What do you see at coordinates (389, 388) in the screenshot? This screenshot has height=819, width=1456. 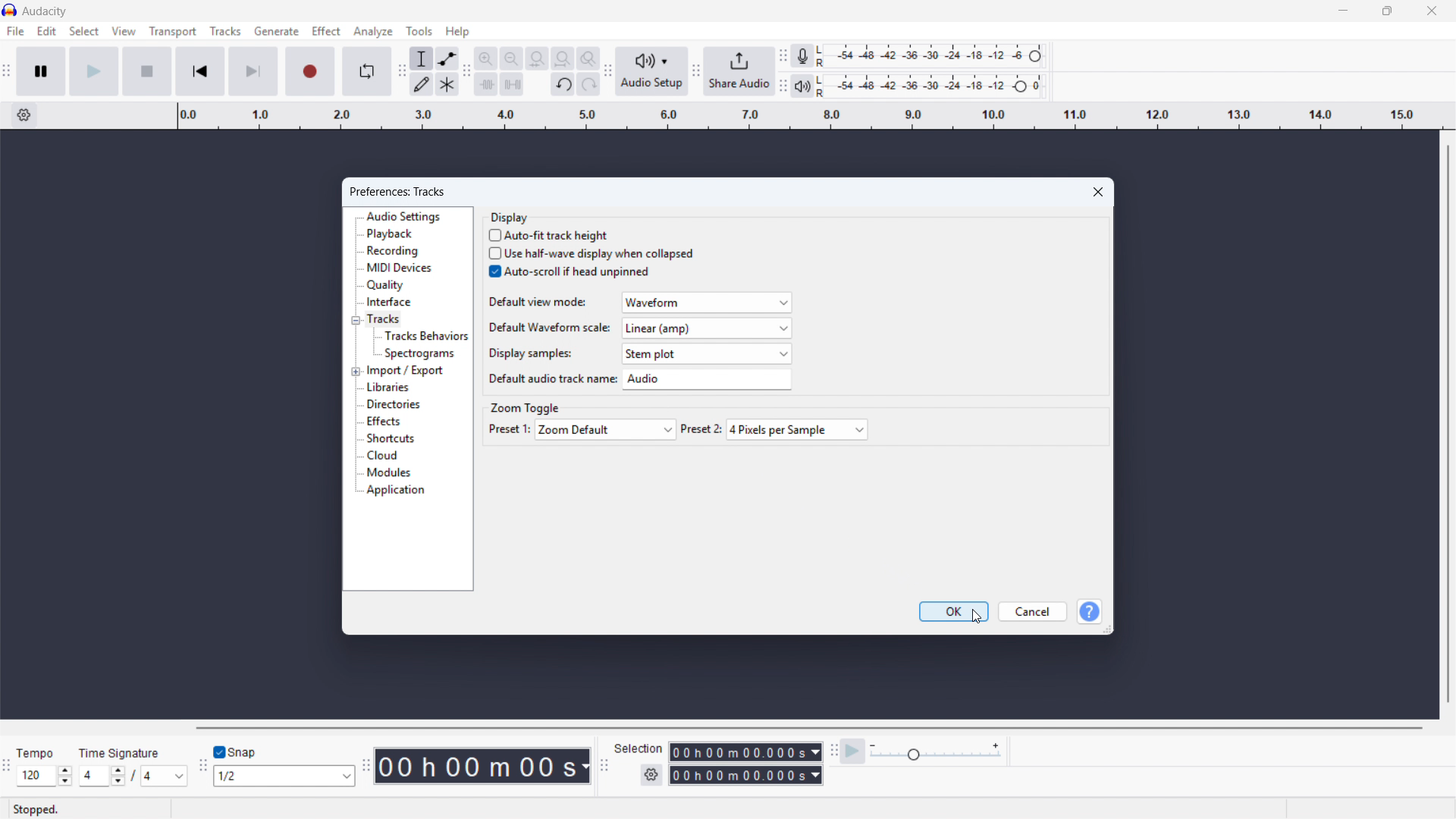 I see `libraries` at bounding box center [389, 388].